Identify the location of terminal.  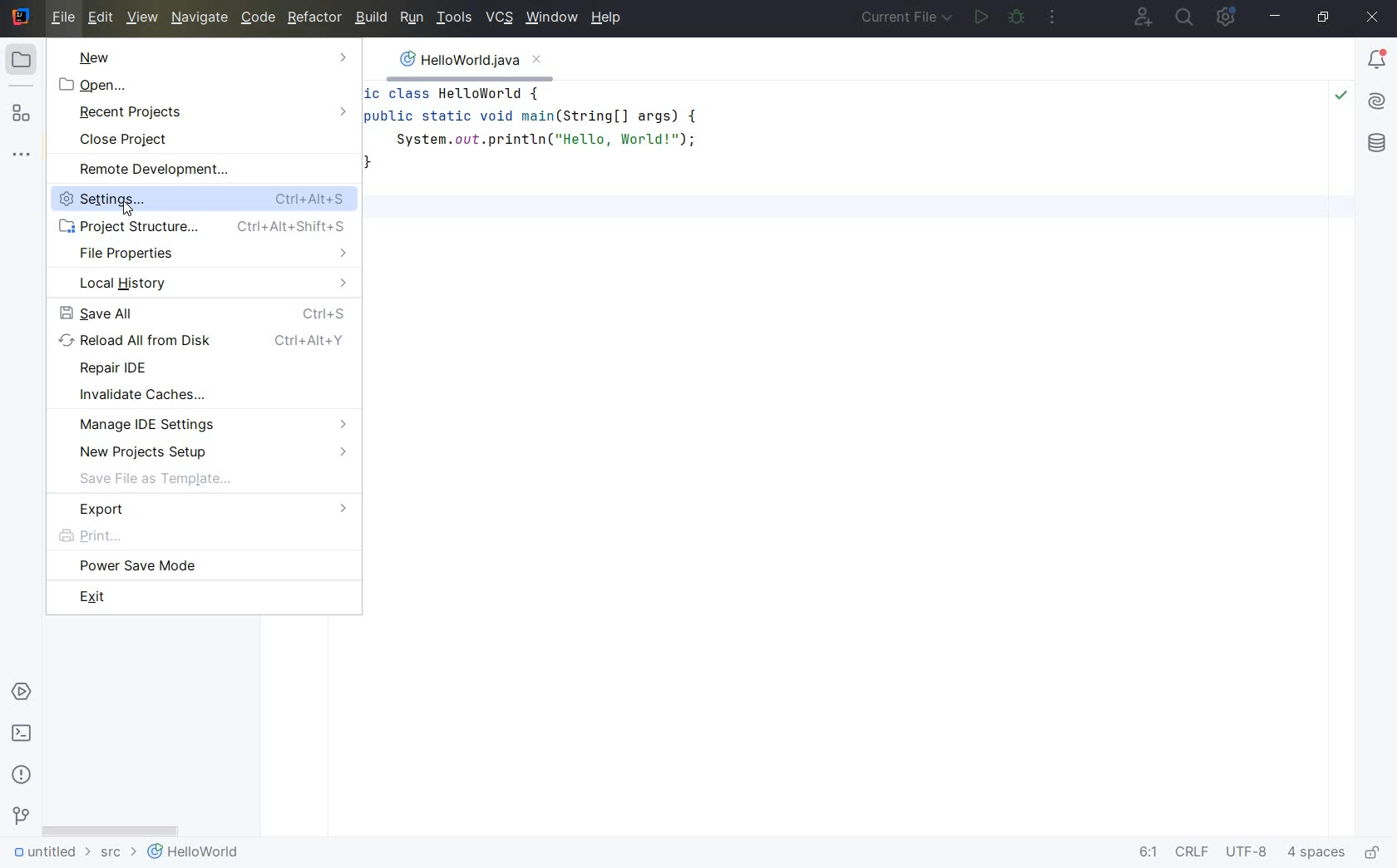
(22, 734).